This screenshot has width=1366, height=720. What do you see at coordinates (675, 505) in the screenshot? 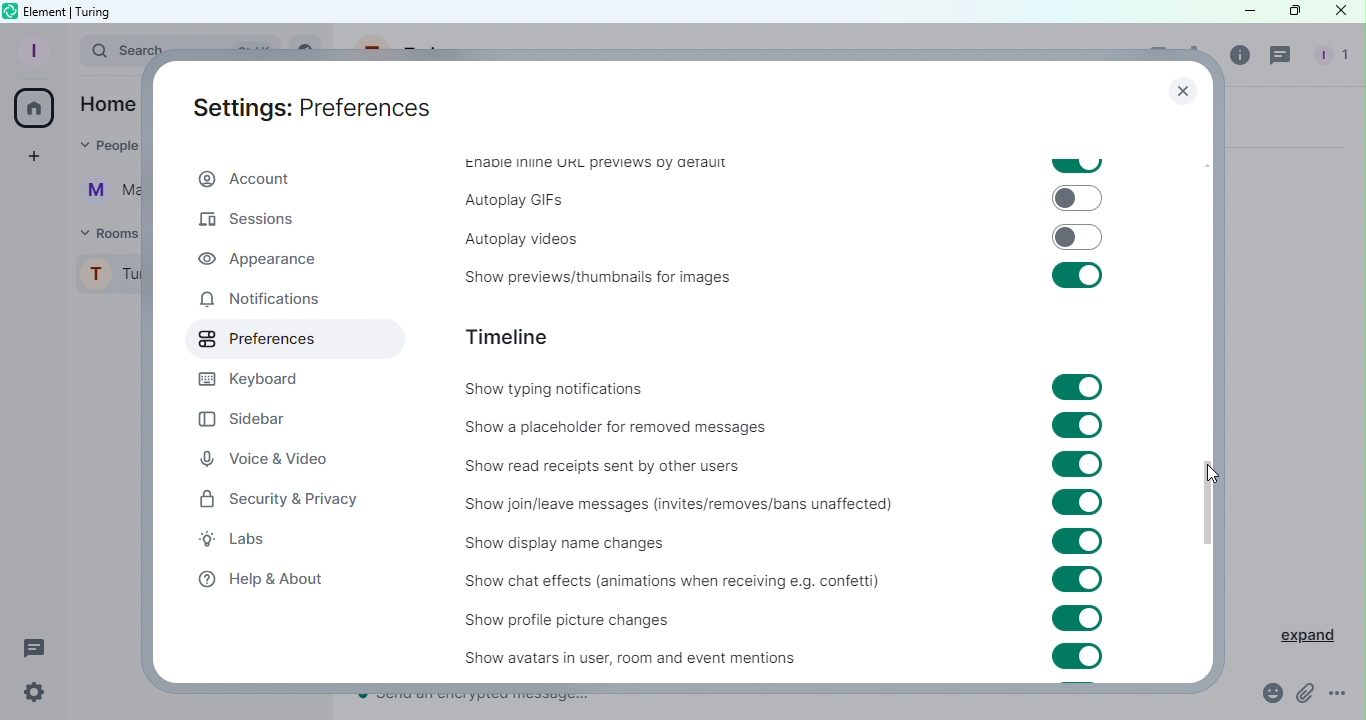
I see `Show join/leave messages (invites/removes/bans unaffected))` at bounding box center [675, 505].